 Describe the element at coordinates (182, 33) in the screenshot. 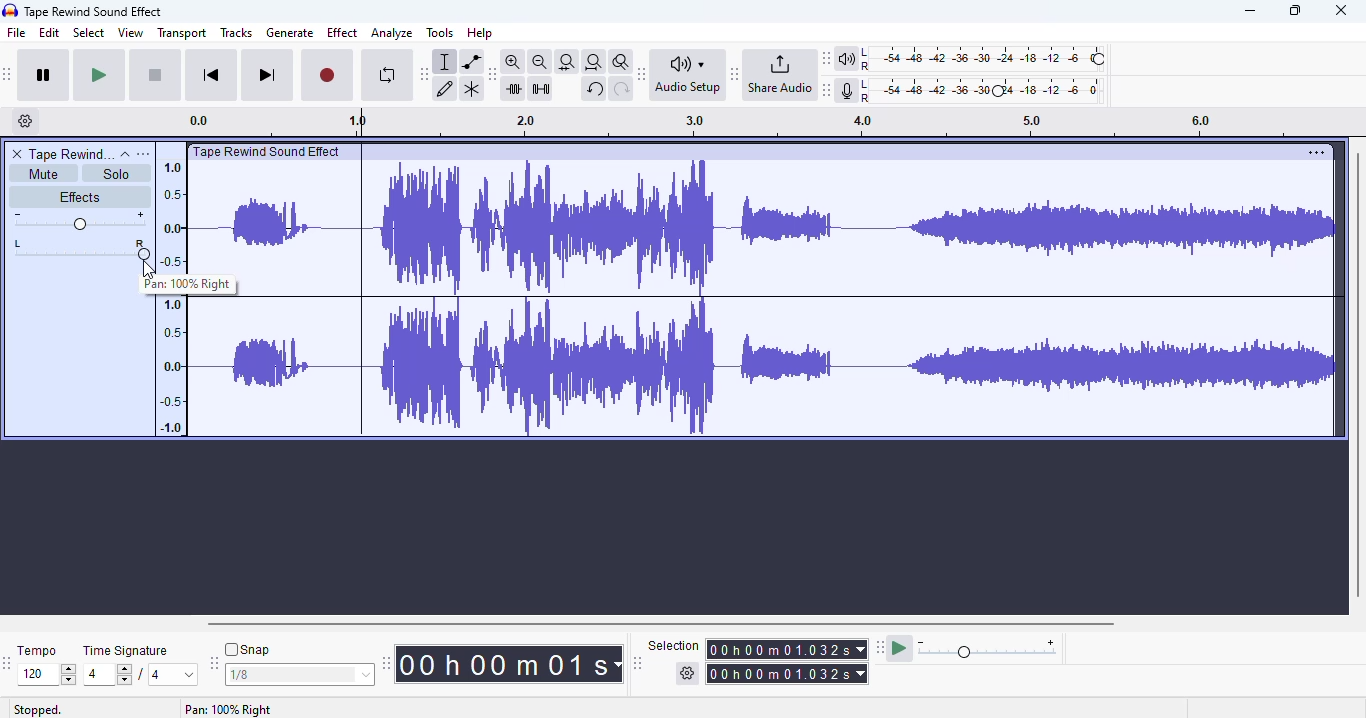

I see `transport` at that location.